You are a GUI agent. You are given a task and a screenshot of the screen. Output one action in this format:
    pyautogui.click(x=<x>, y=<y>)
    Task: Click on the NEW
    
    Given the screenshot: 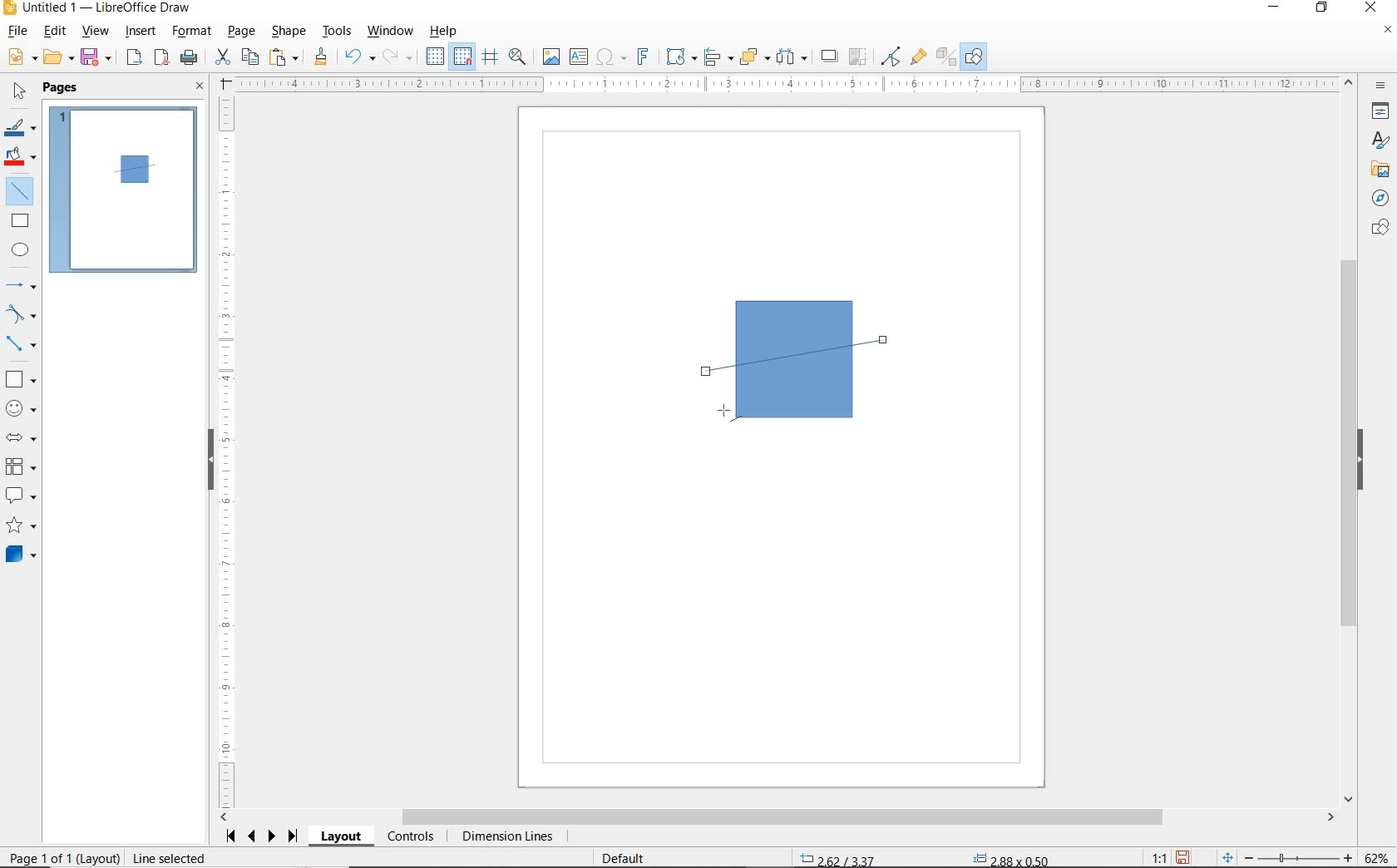 What is the action you would take?
    pyautogui.click(x=21, y=57)
    